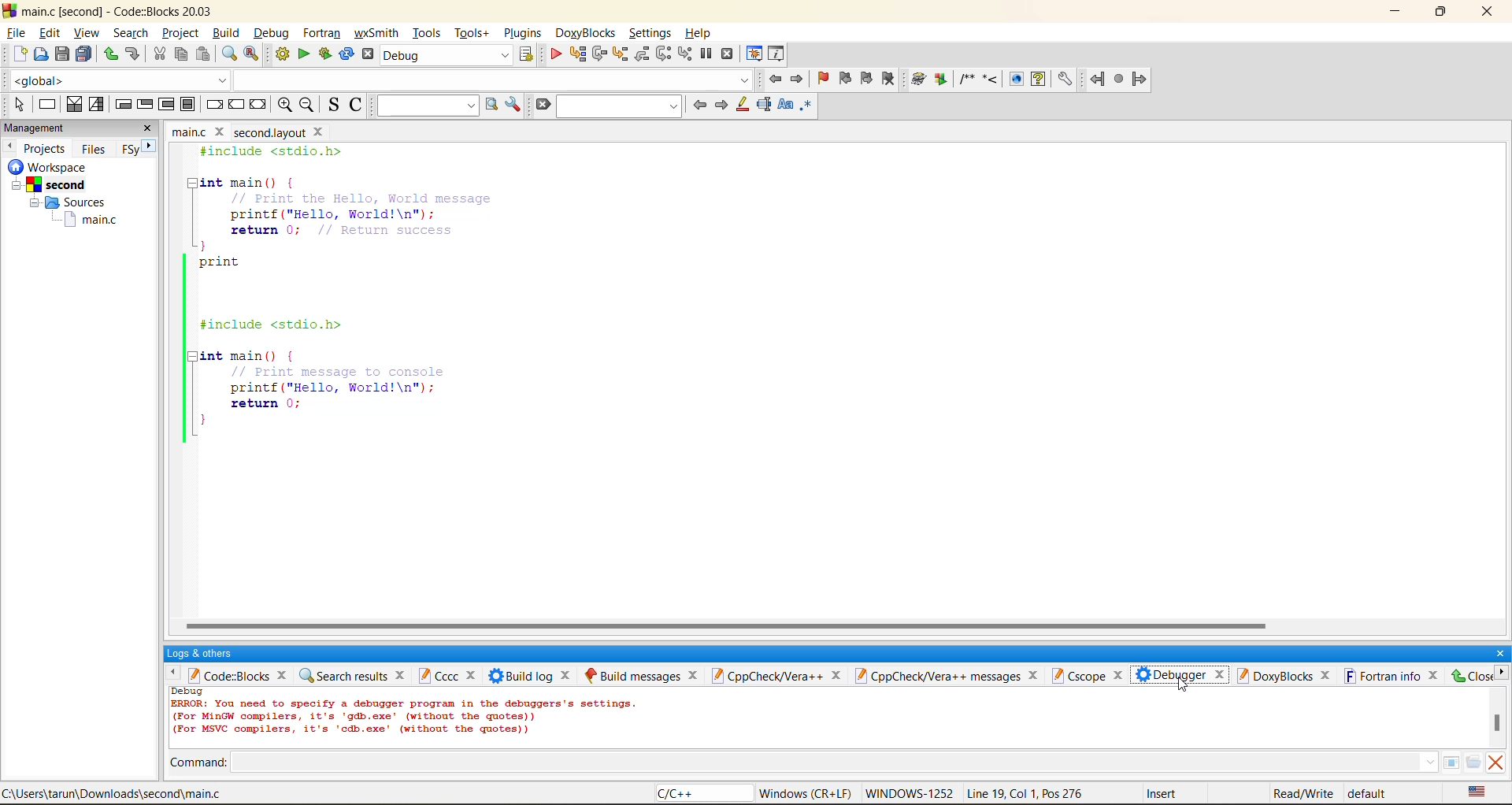 The height and width of the screenshot is (805, 1512). What do you see at coordinates (12, 147) in the screenshot?
I see `previous` at bounding box center [12, 147].